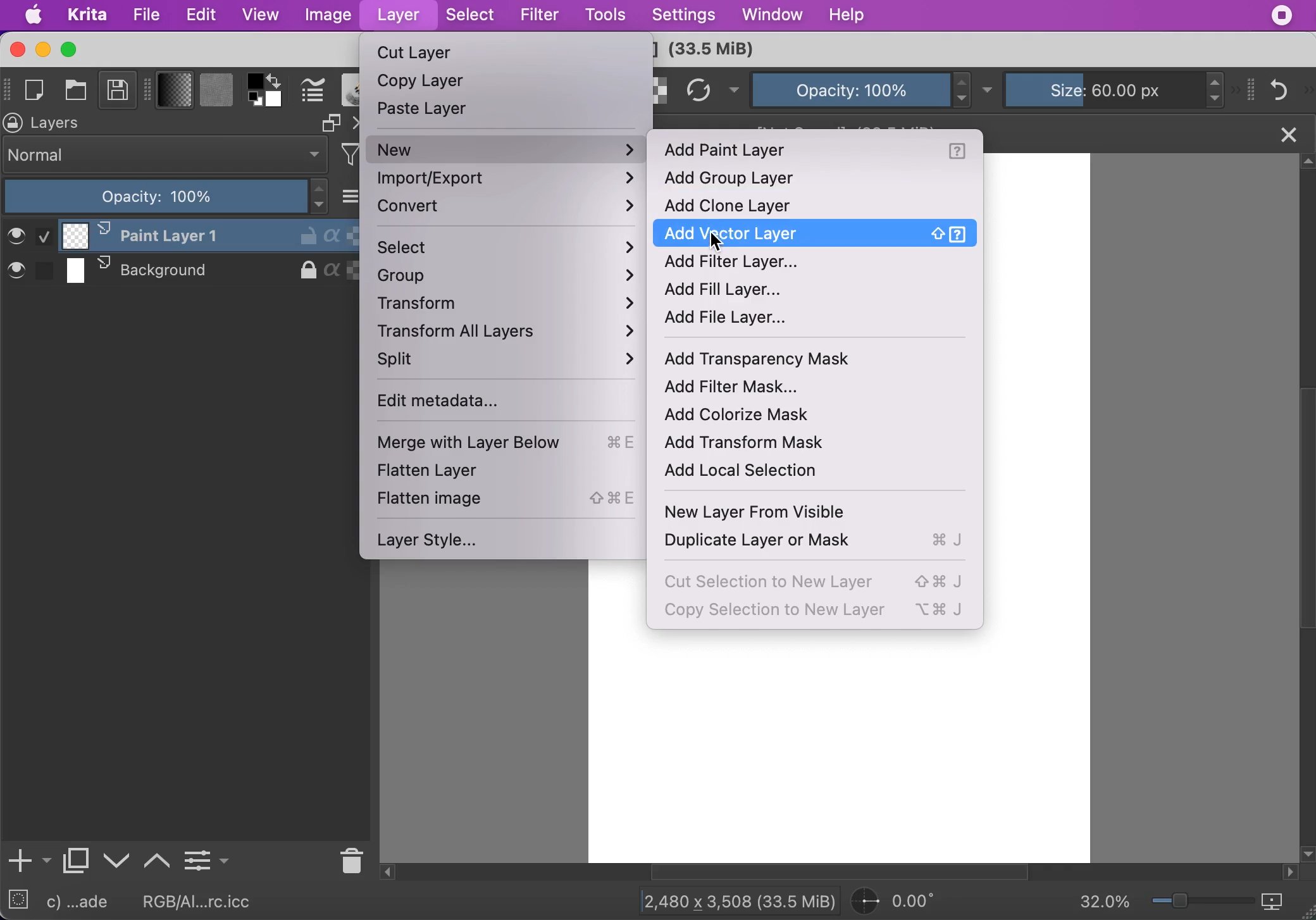 The height and width of the screenshot is (920, 1316). Describe the element at coordinates (313, 91) in the screenshot. I see `edit brush settings` at that location.